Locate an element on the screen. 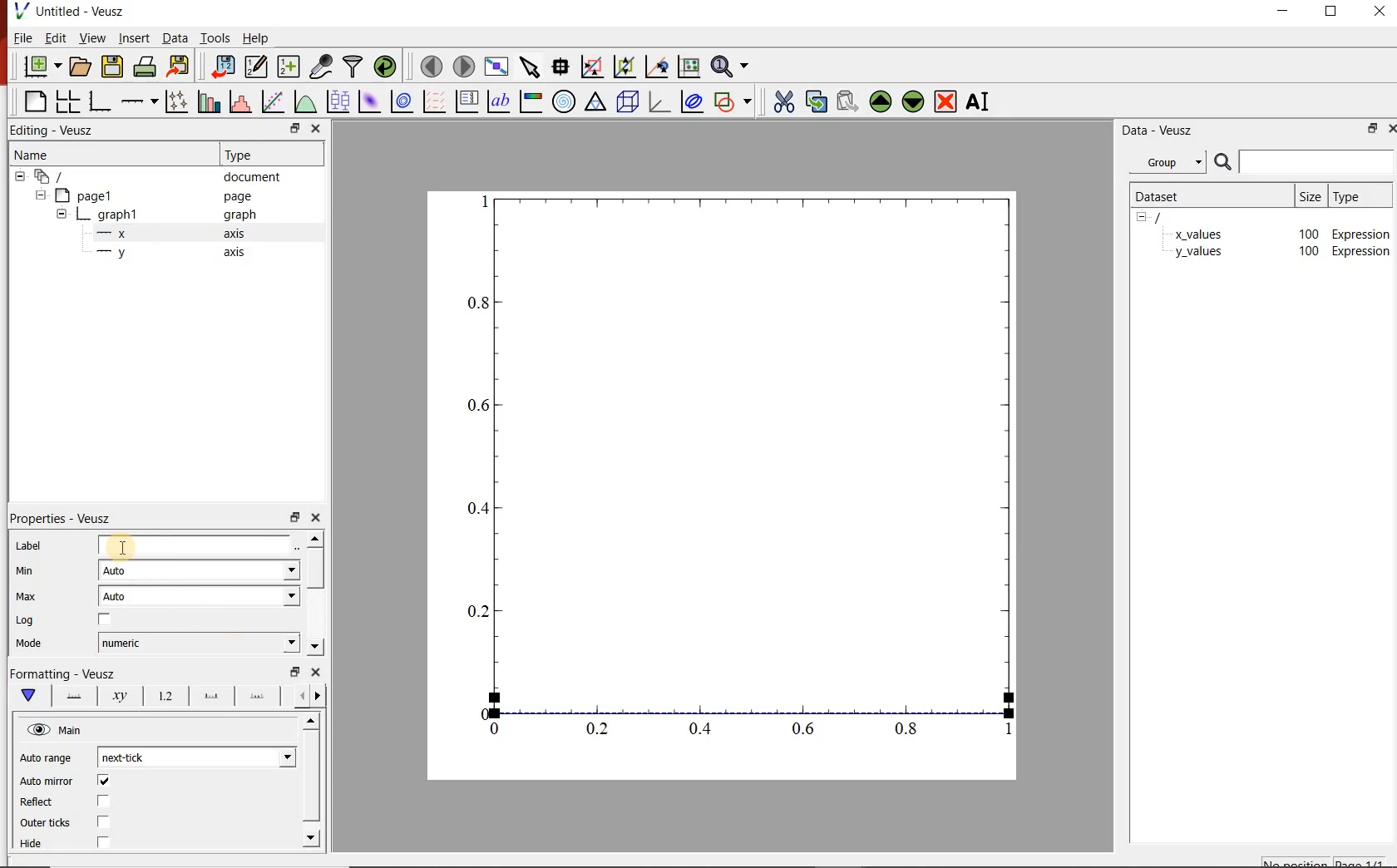  capture remote data is located at coordinates (321, 66).